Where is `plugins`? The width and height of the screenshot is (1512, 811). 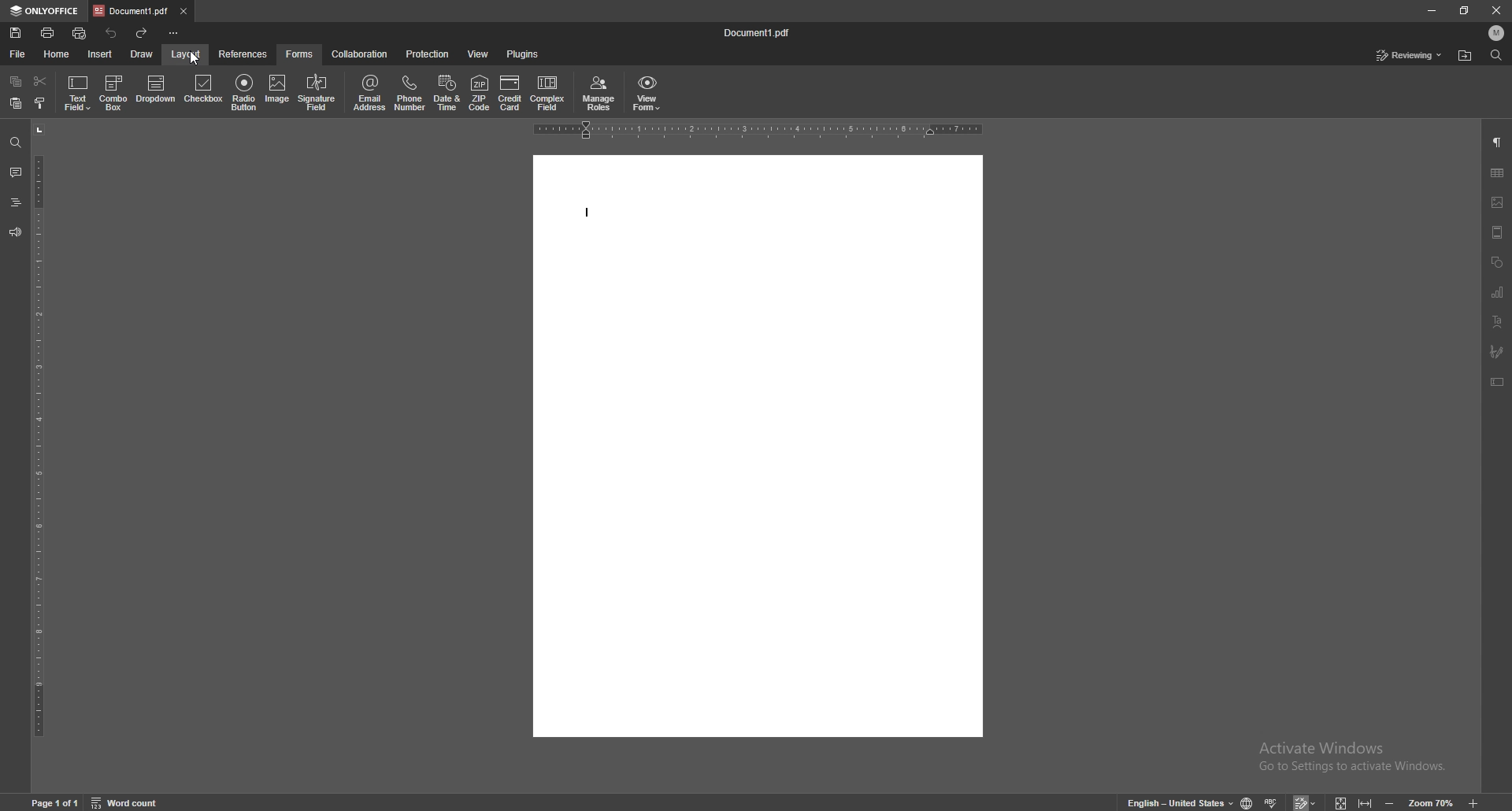 plugins is located at coordinates (523, 54).